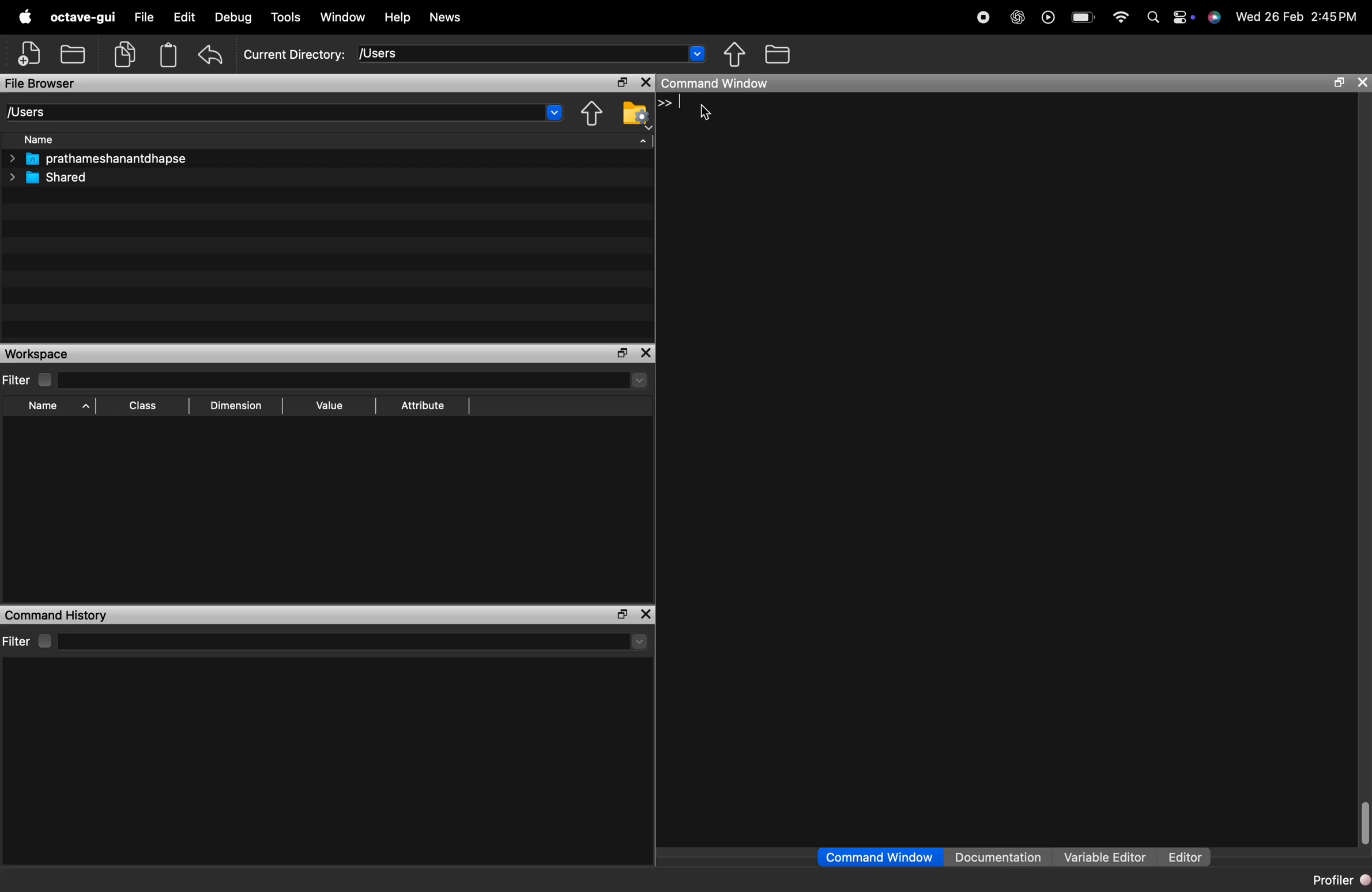  I want to click on Current Directory: [Users, so click(327, 54).